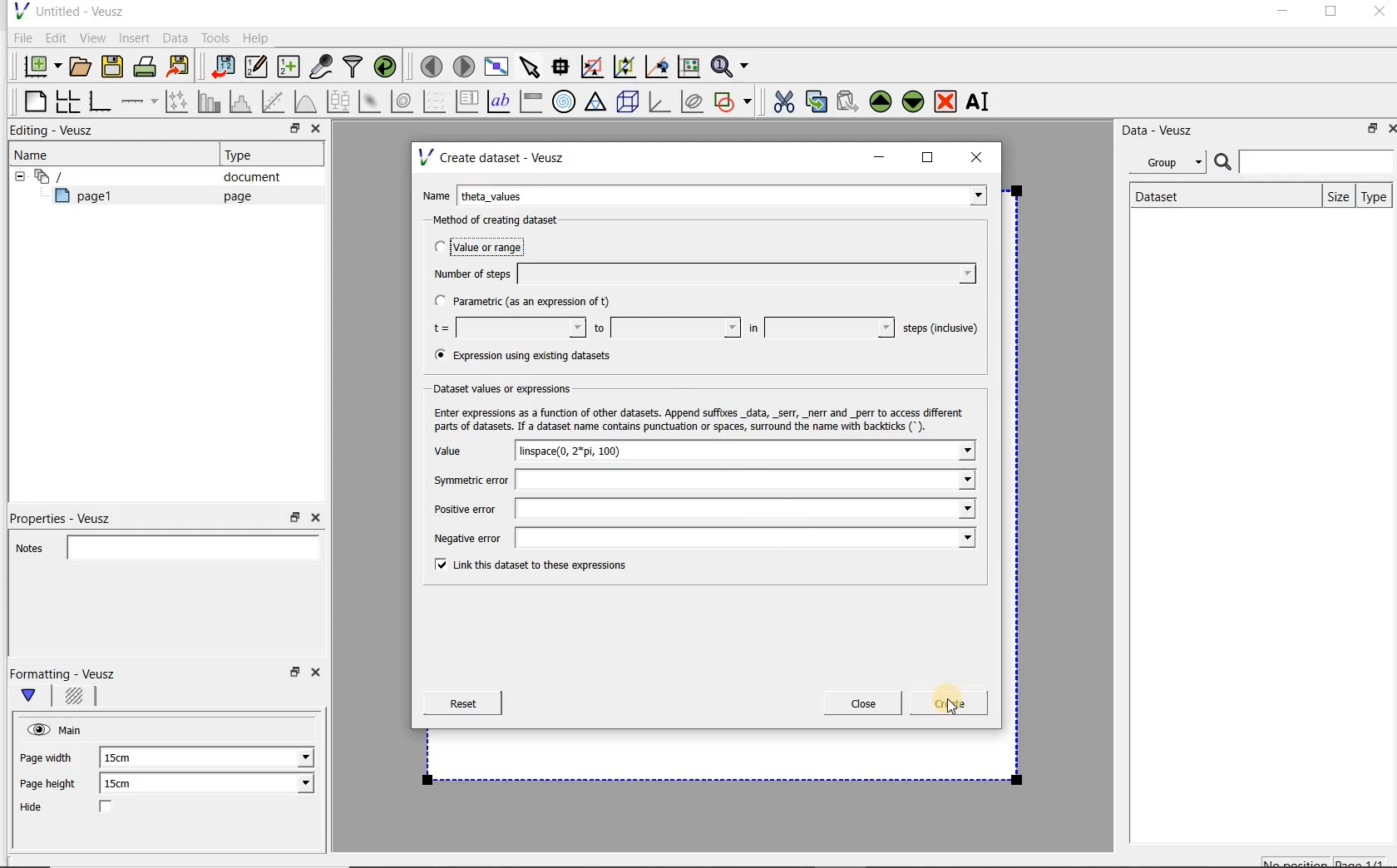 The width and height of the screenshot is (1397, 868). Describe the element at coordinates (1366, 861) in the screenshot. I see `page1/1` at that location.